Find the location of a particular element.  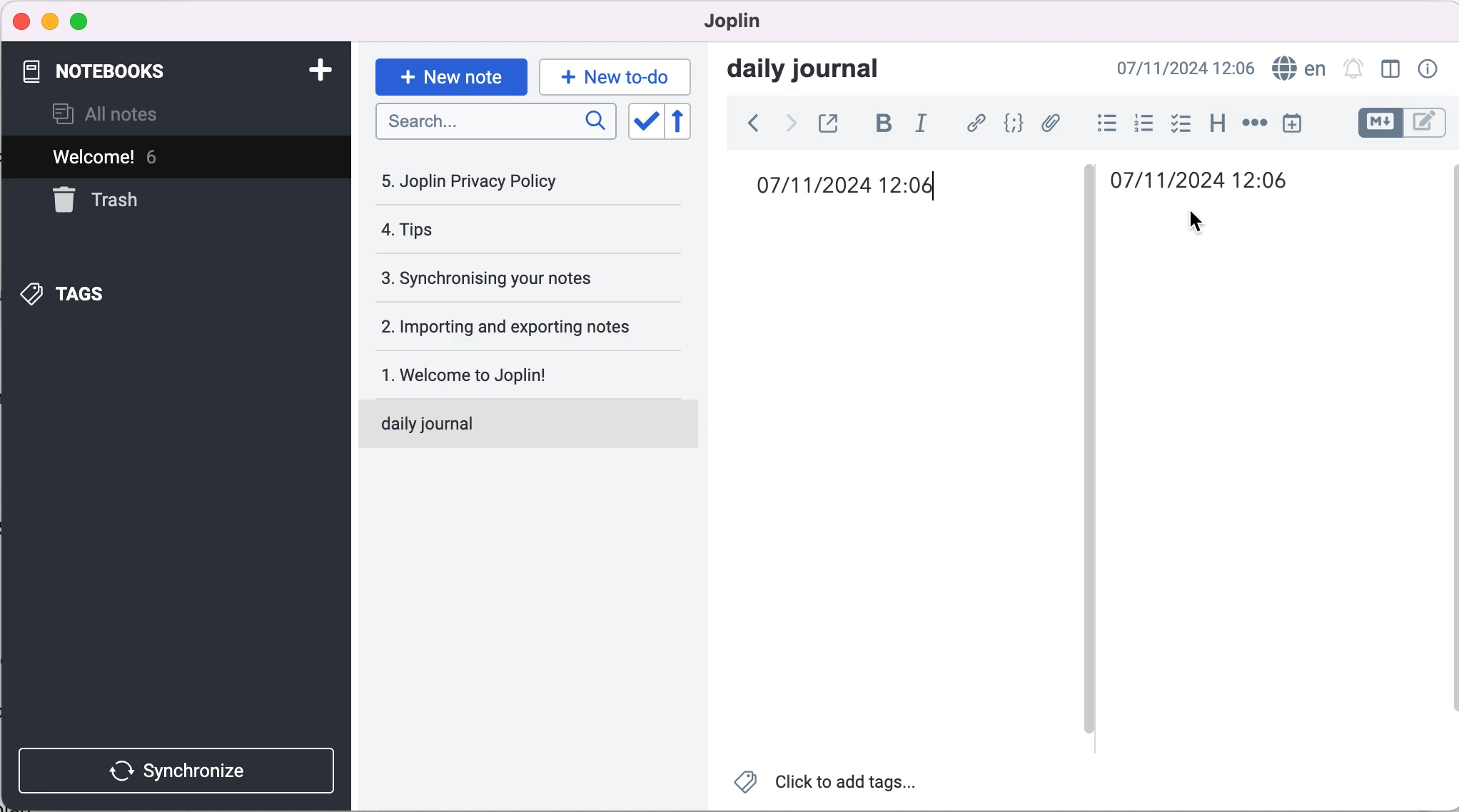

new note is located at coordinates (450, 71).